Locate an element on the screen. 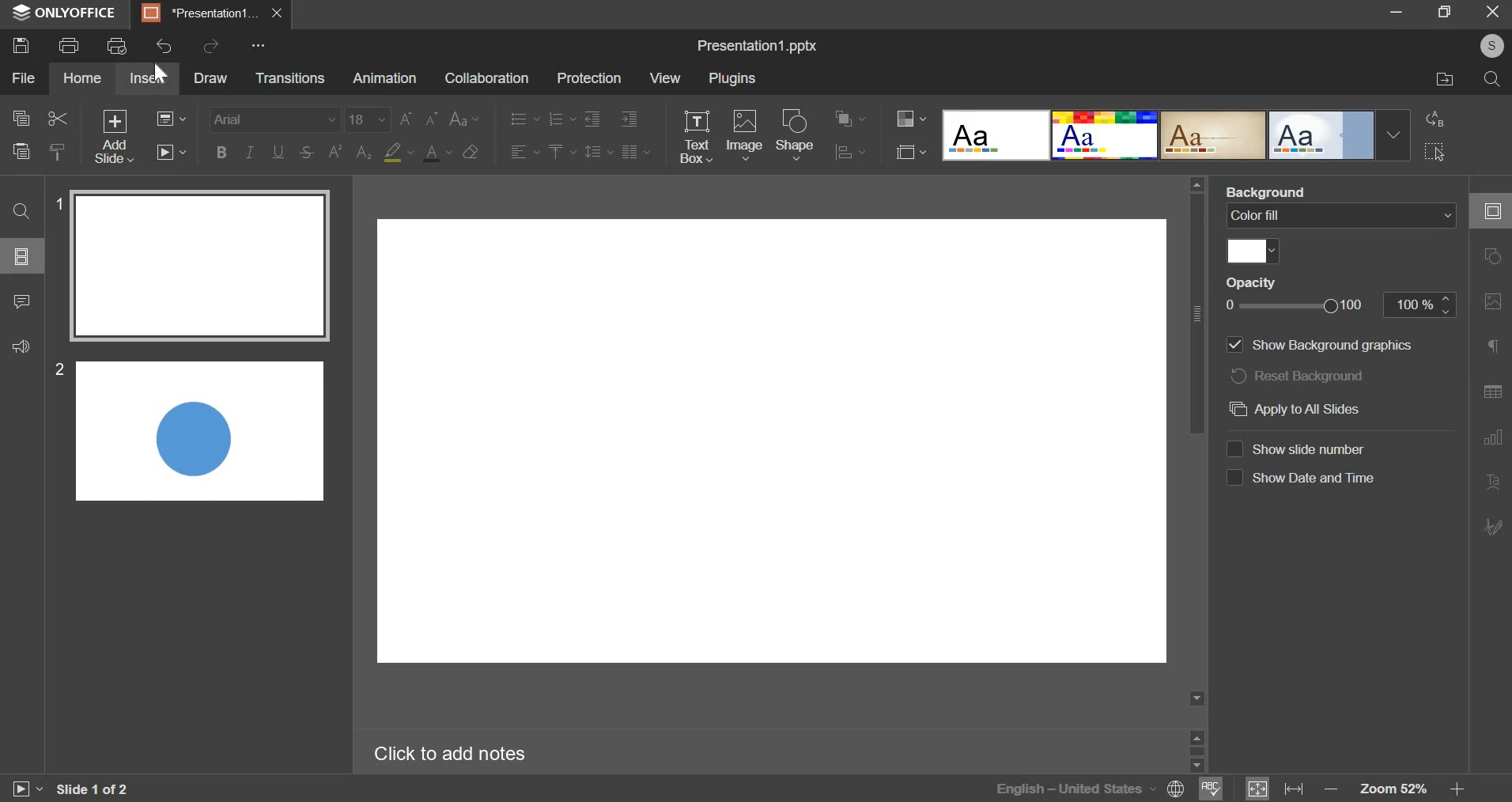 The height and width of the screenshot is (802, 1512). replace is located at coordinates (1438, 117).